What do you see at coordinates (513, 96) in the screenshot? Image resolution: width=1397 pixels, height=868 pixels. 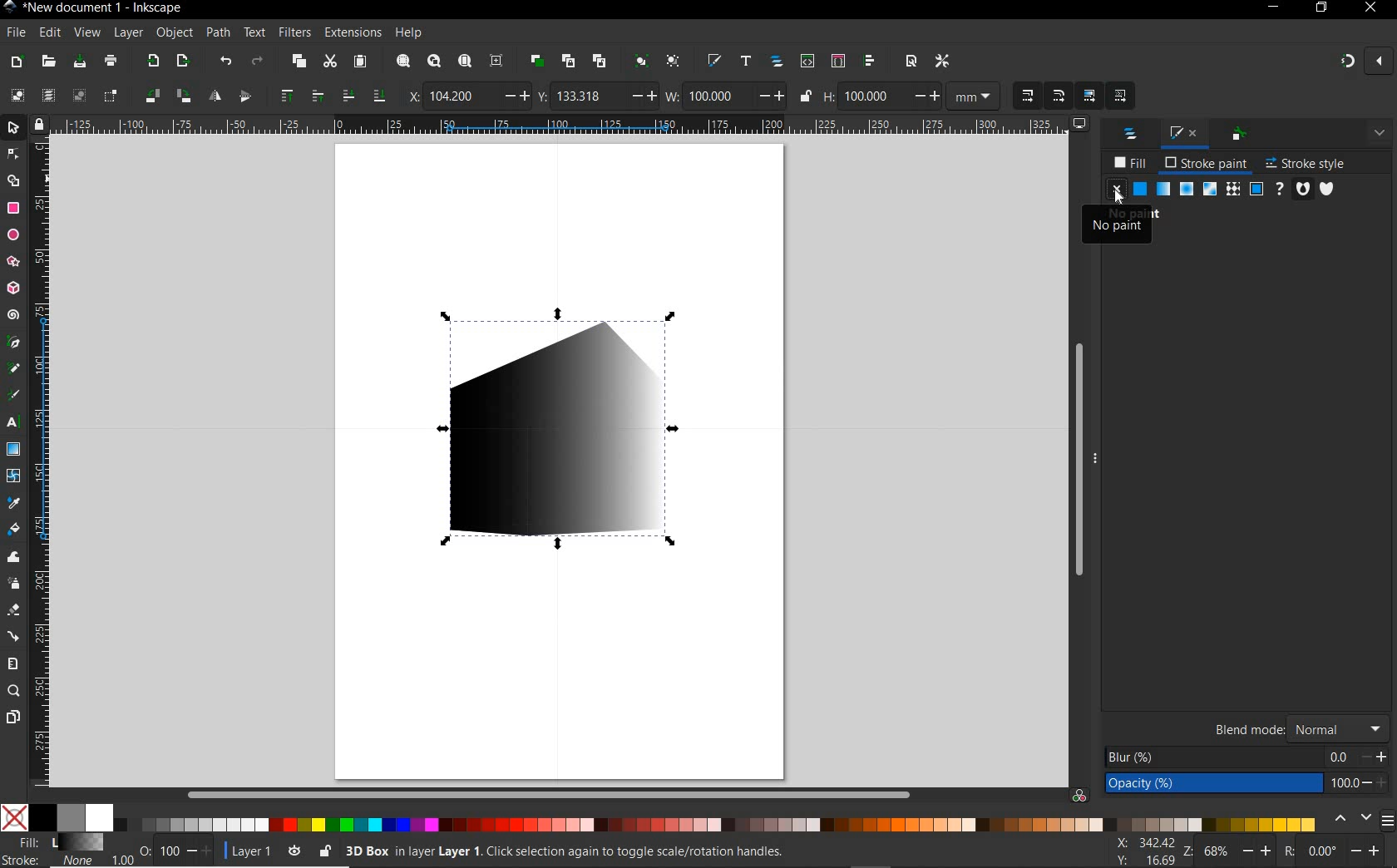 I see `increase/decrease` at bounding box center [513, 96].